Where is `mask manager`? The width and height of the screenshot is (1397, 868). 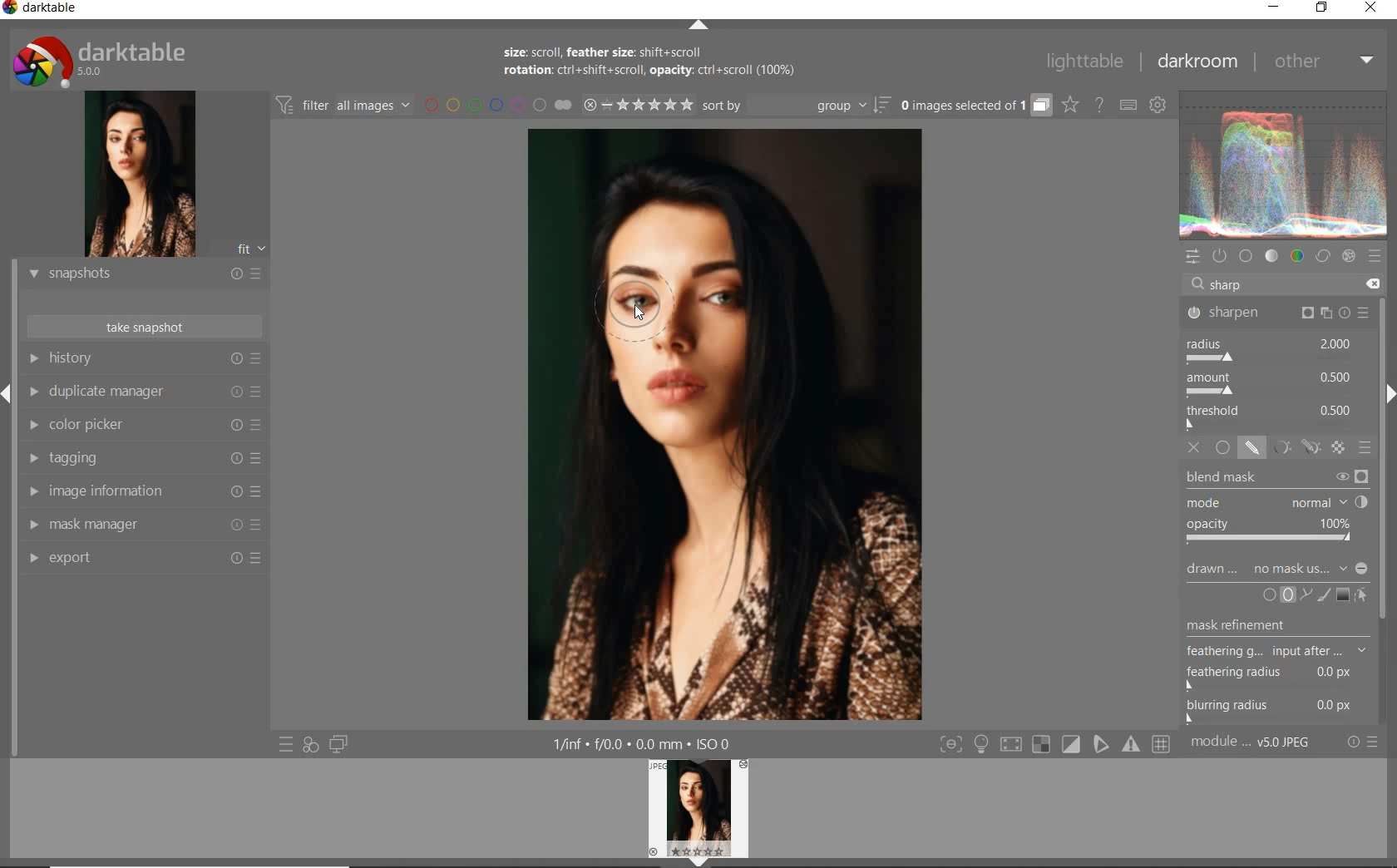 mask manager is located at coordinates (143, 525).